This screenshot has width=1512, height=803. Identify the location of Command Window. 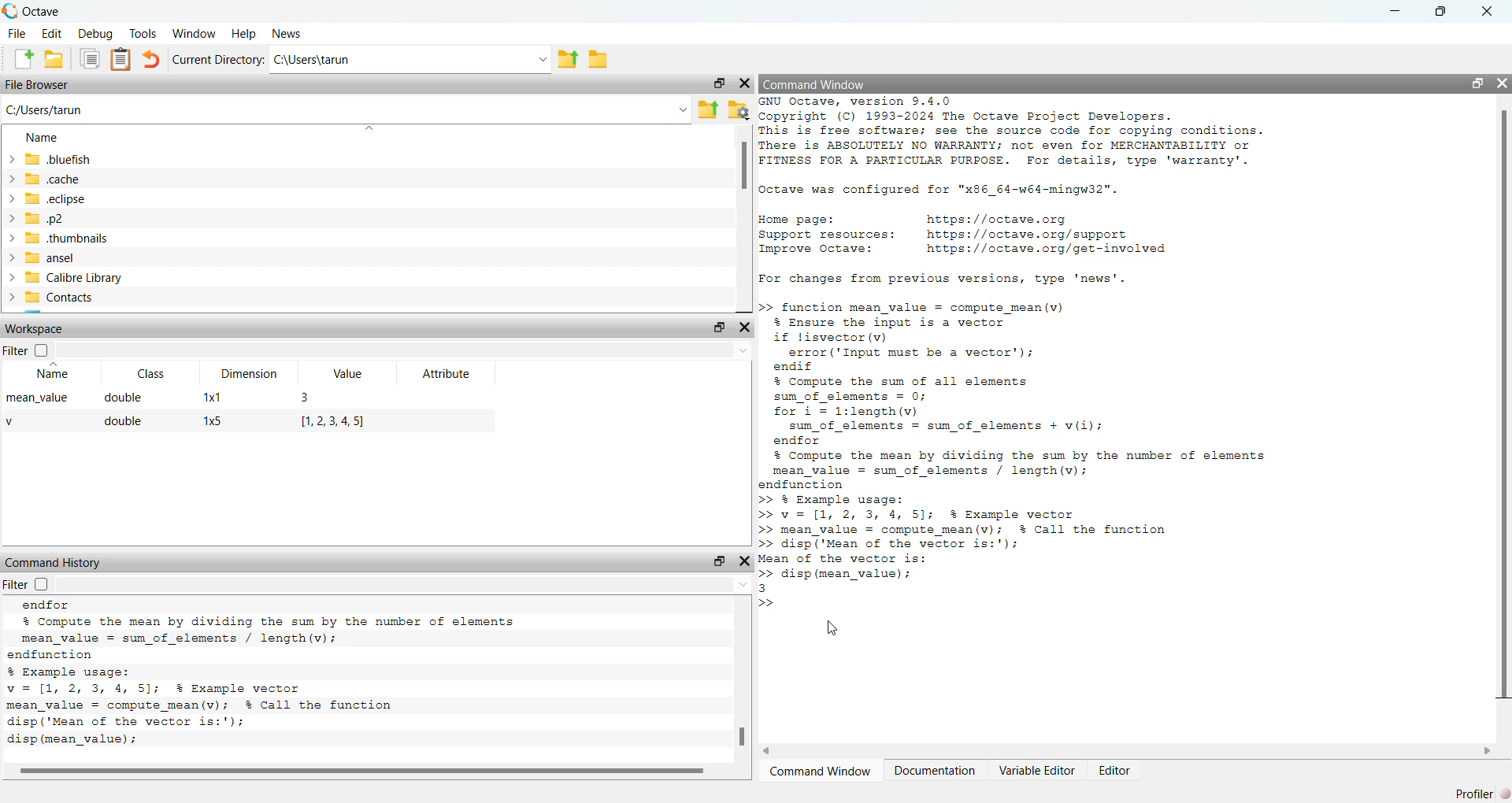
(821, 772).